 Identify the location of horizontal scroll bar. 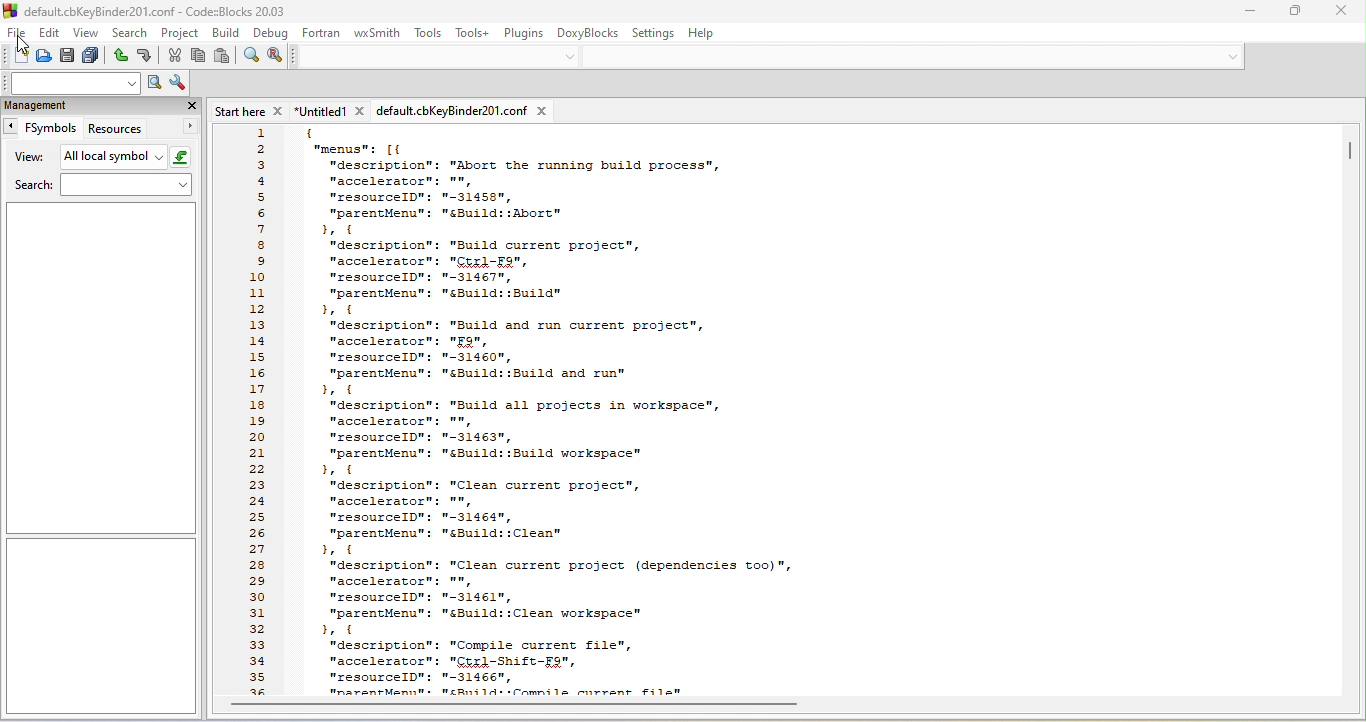
(515, 705).